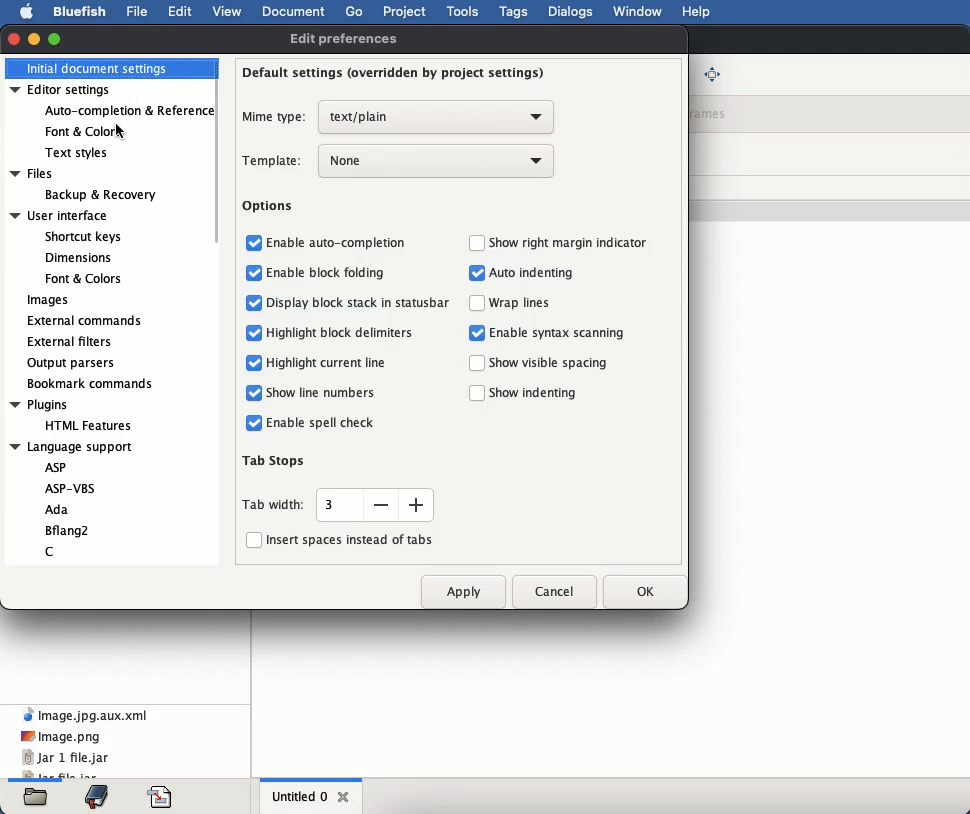 This screenshot has width=970, height=814. What do you see at coordinates (81, 14) in the screenshot?
I see `bluefish` at bounding box center [81, 14].